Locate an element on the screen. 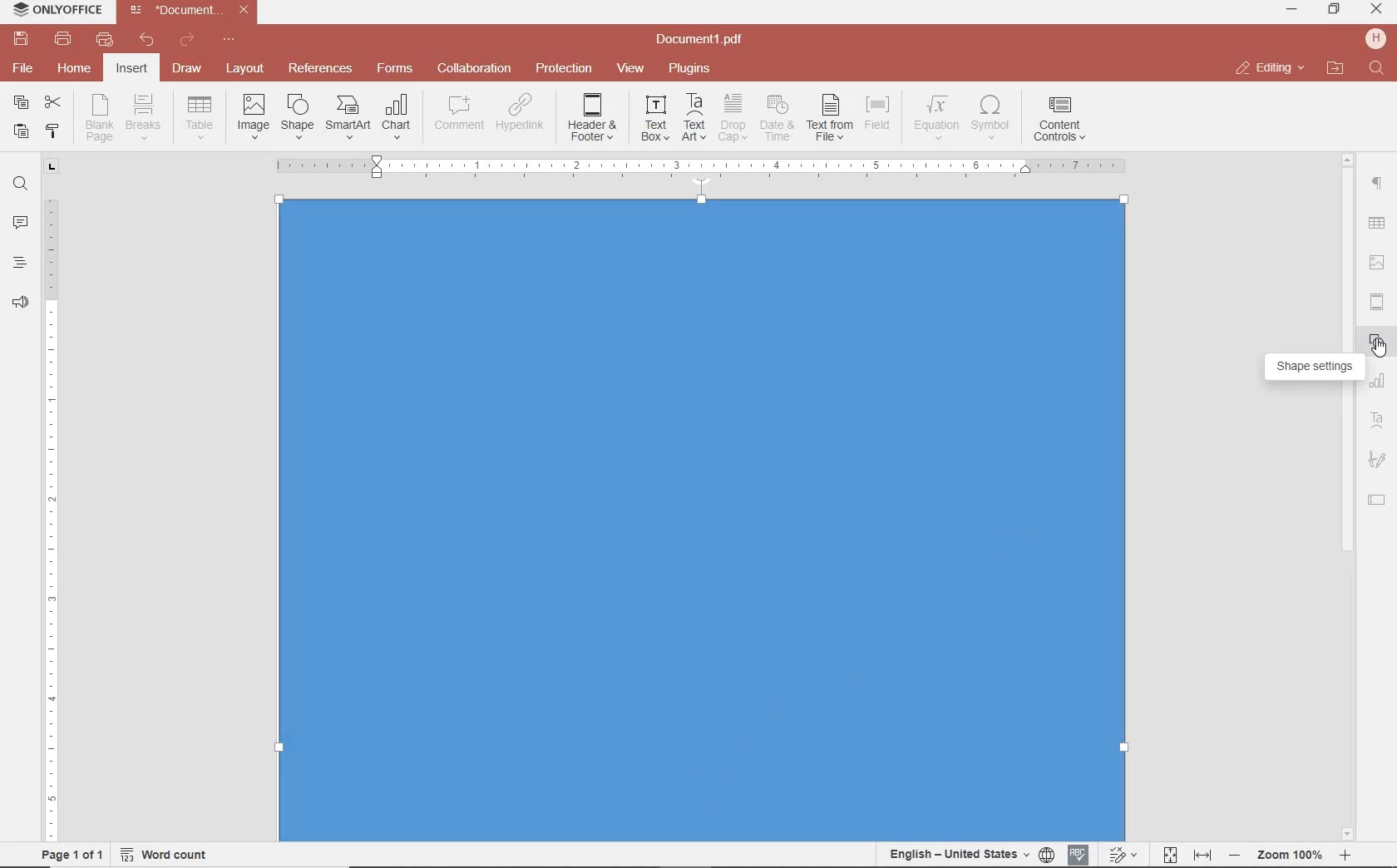 This screenshot has height=868, width=1397. save is located at coordinates (19, 39).